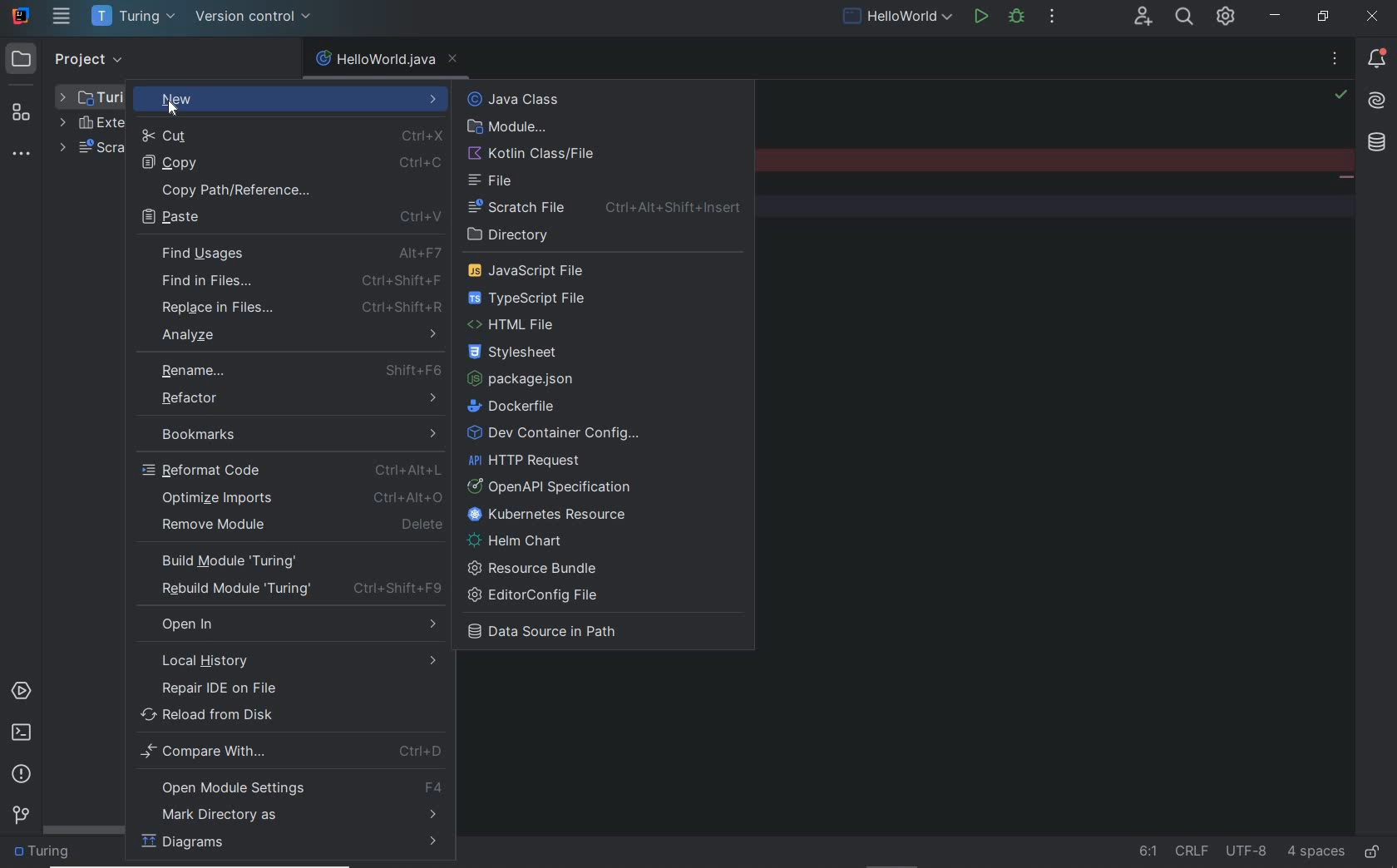  Describe the element at coordinates (297, 624) in the screenshot. I see `open in` at that location.